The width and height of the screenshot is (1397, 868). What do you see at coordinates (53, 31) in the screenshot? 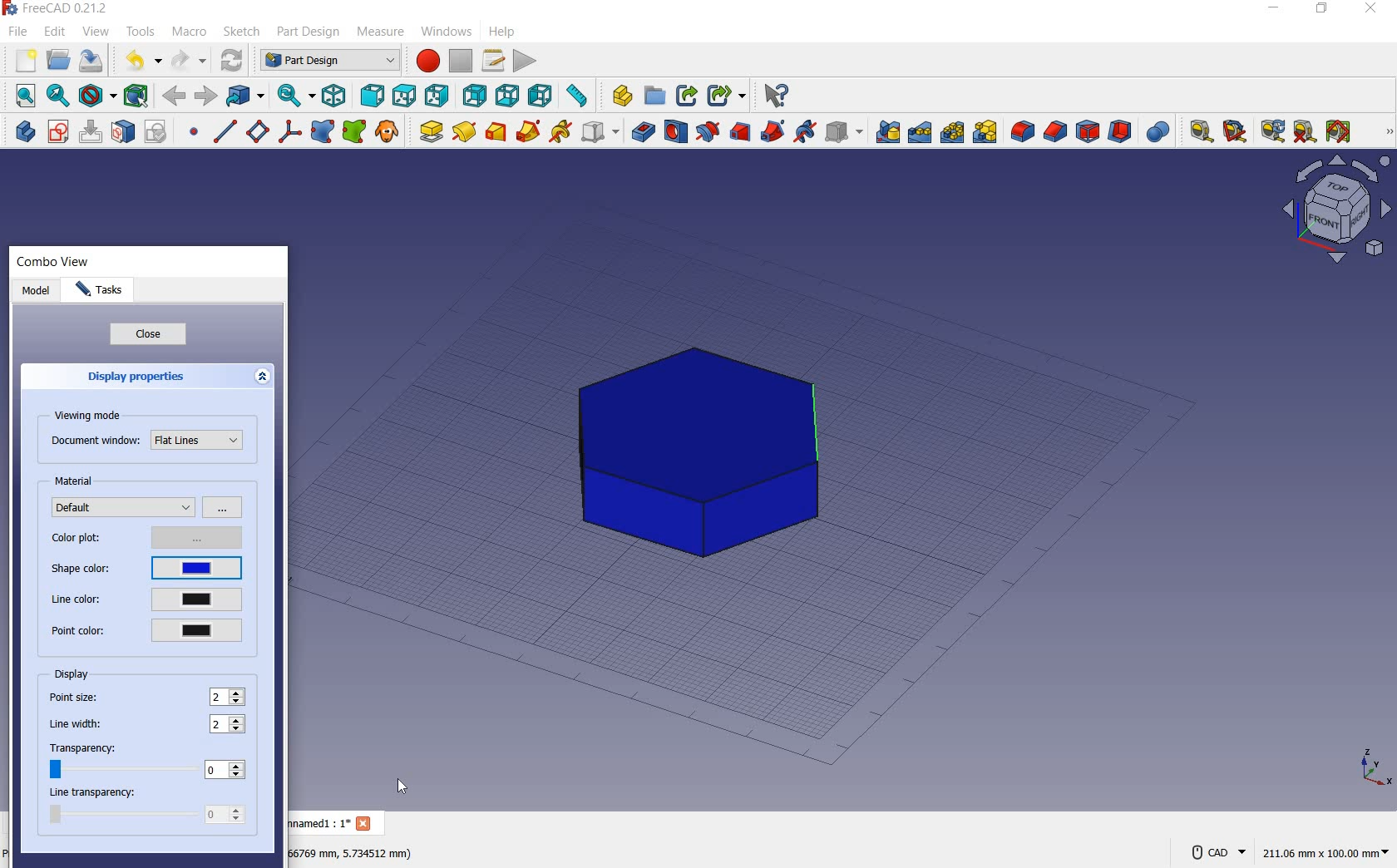
I see `edit` at bounding box center [53, 31].